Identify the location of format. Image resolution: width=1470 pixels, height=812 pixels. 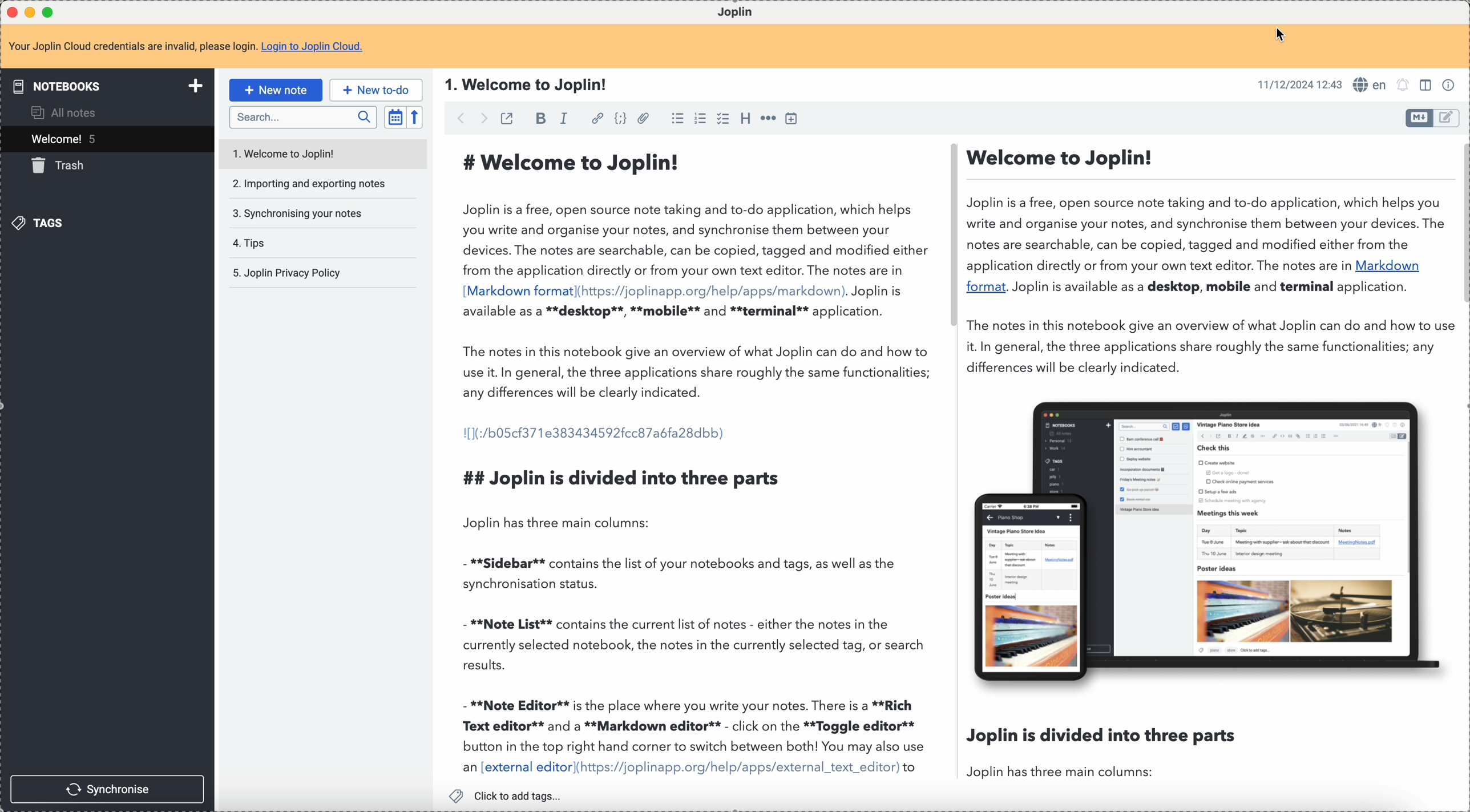
(984, 286).